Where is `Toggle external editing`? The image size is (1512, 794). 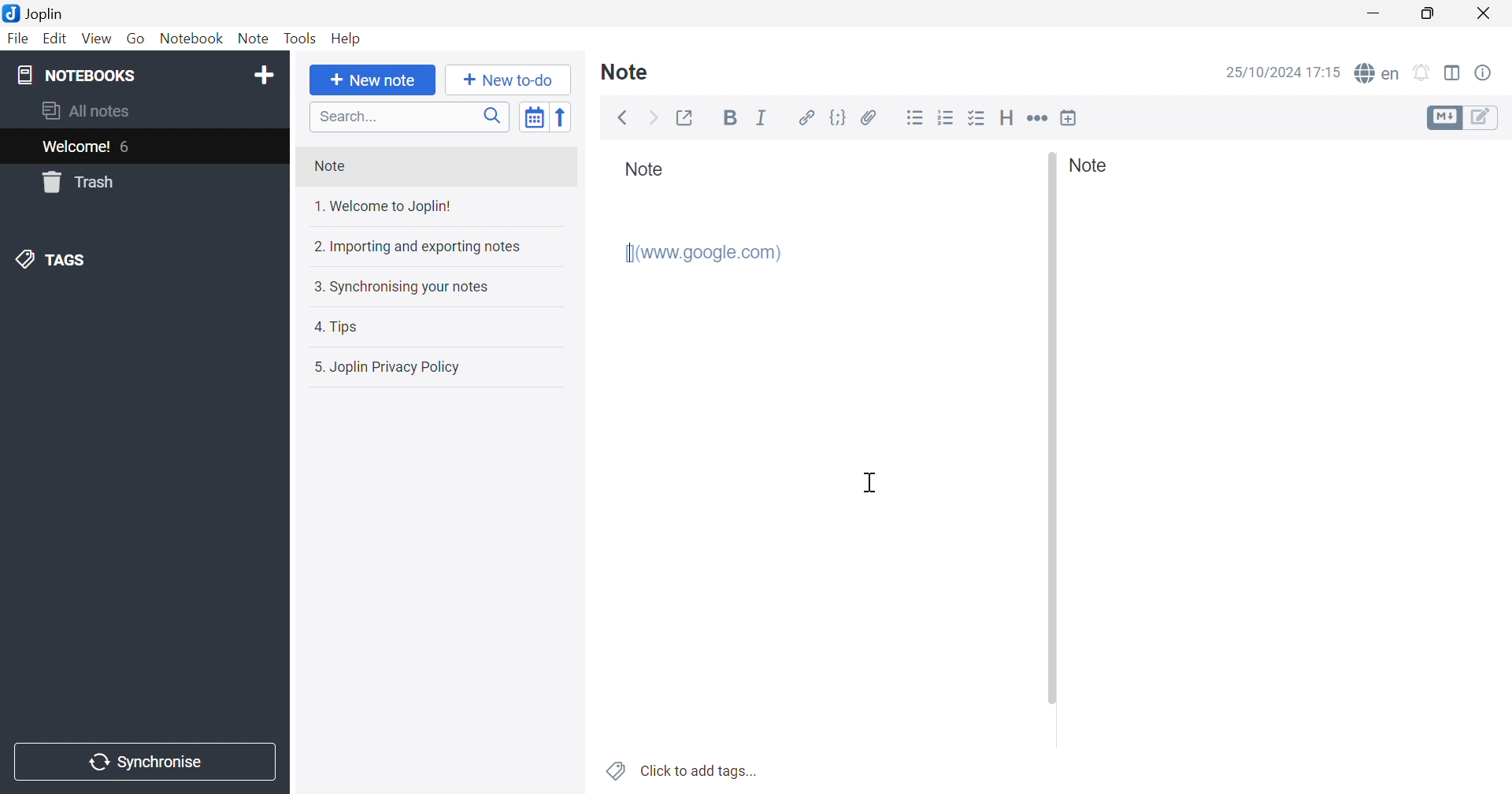
Toggle external editing is located at coordinates (688, 117).